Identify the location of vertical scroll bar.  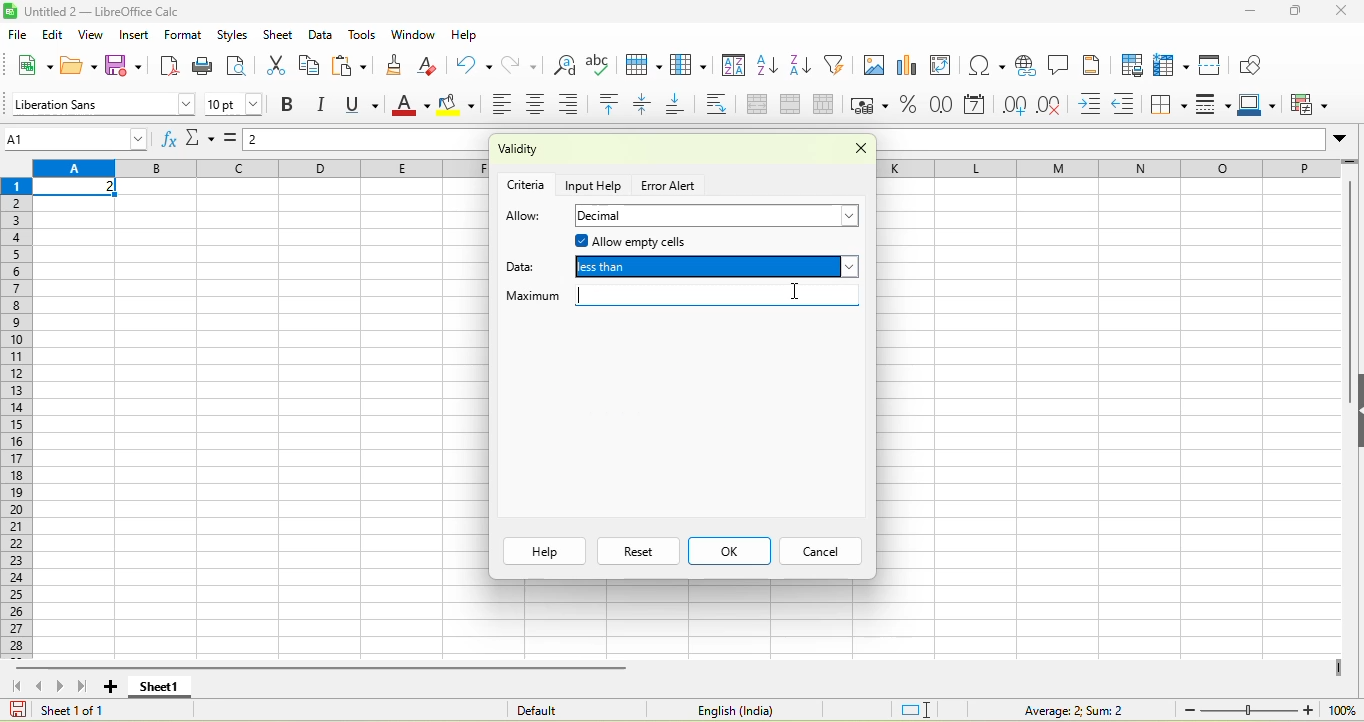
(1347, 300).